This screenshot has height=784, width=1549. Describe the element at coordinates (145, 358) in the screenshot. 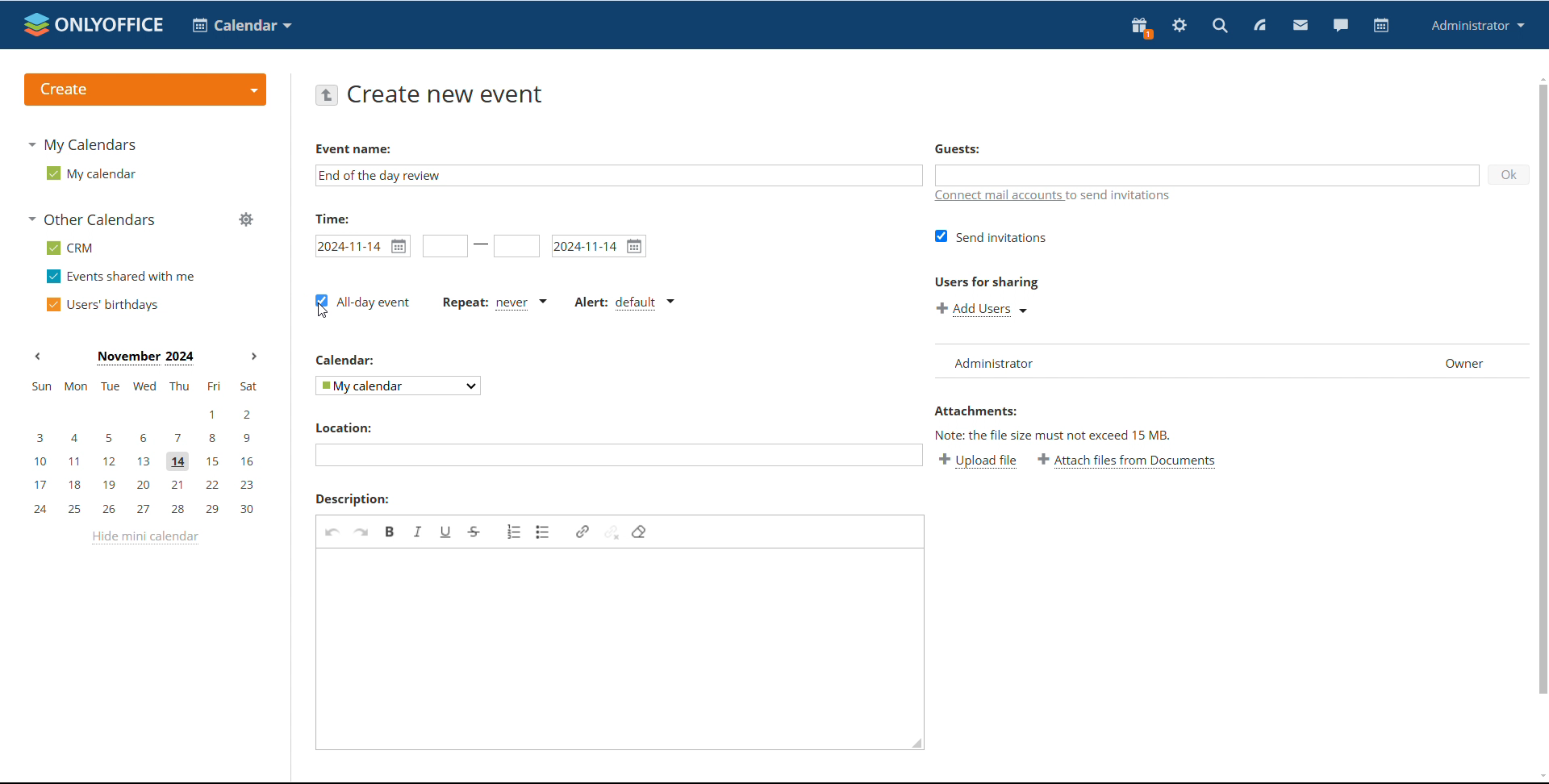

I see `Month on display` at that location.